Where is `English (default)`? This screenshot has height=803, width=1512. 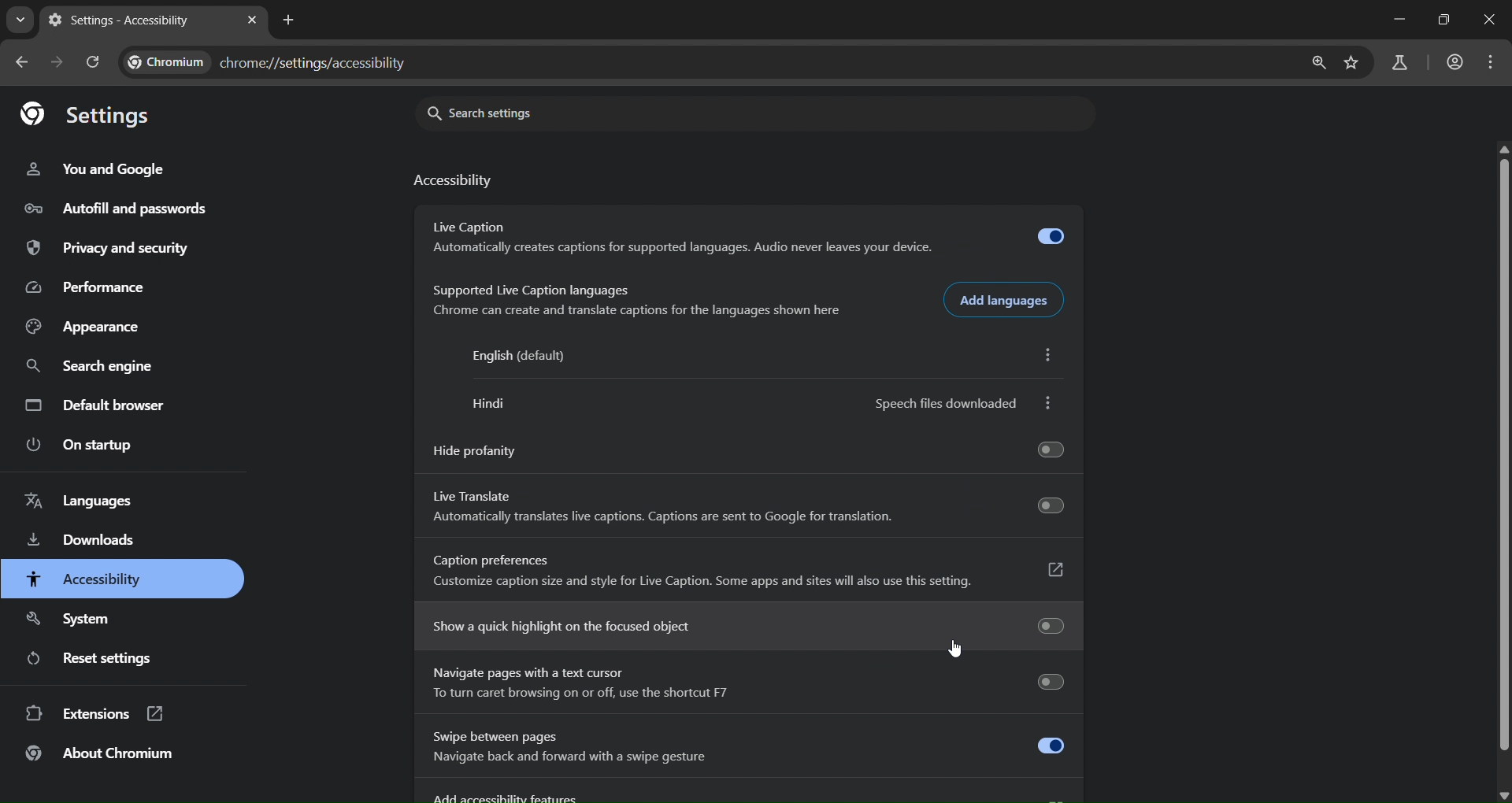
English (default) is located at coordinates (521, 357).